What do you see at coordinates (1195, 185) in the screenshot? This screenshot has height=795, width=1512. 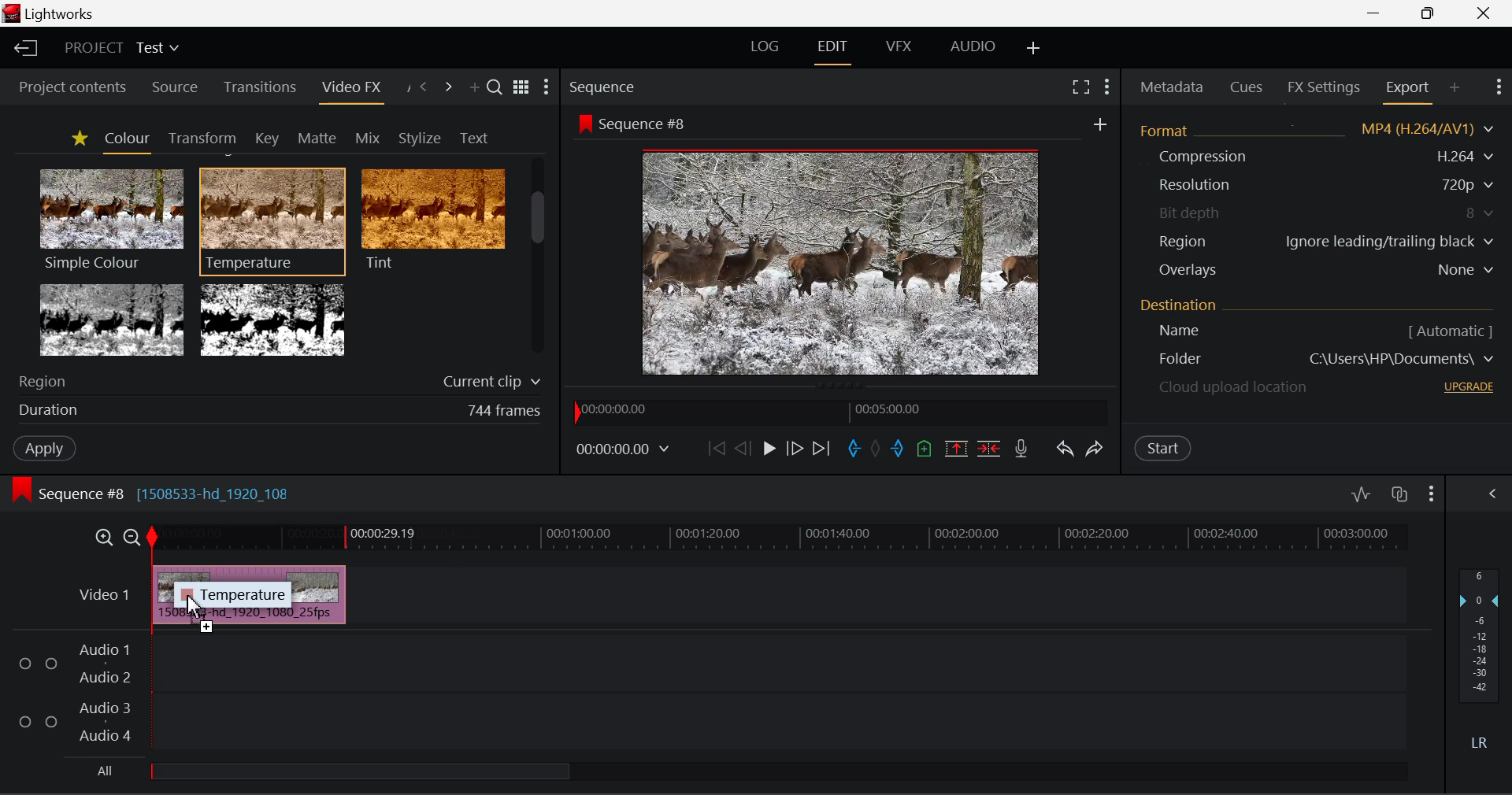 I see `Resolution` at bounding box center [1195, 185].